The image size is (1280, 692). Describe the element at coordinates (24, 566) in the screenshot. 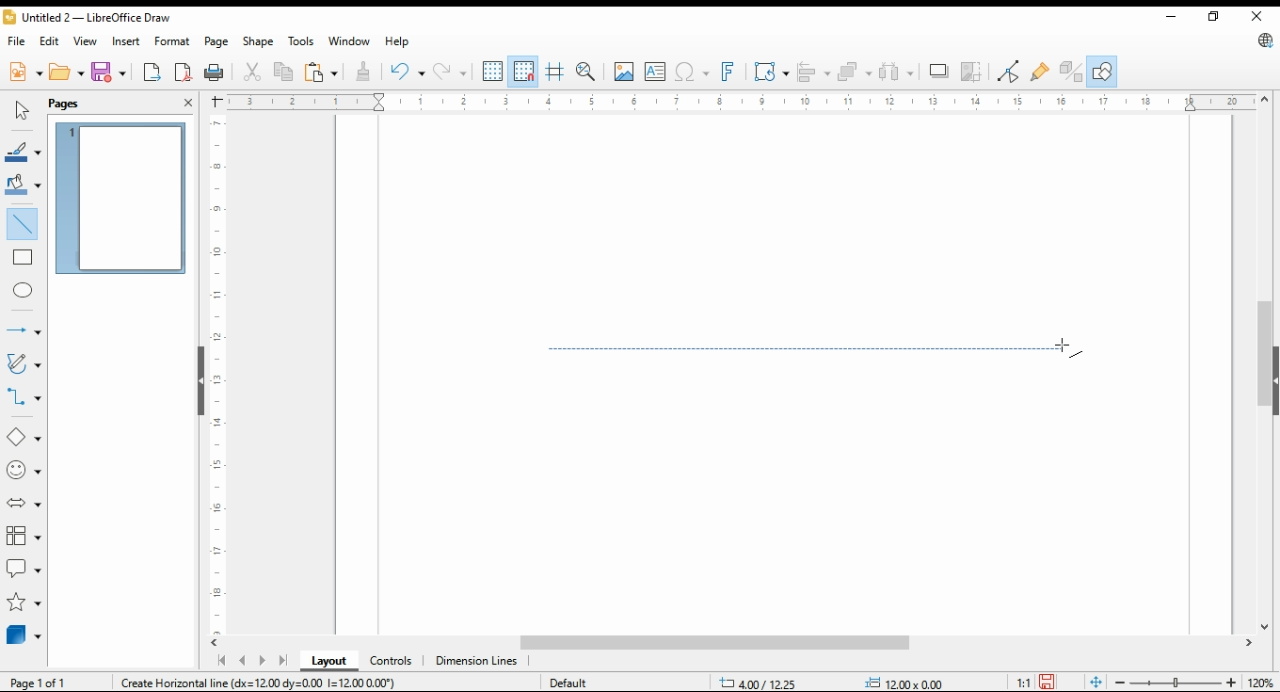

I see `callout shapes` at that location.